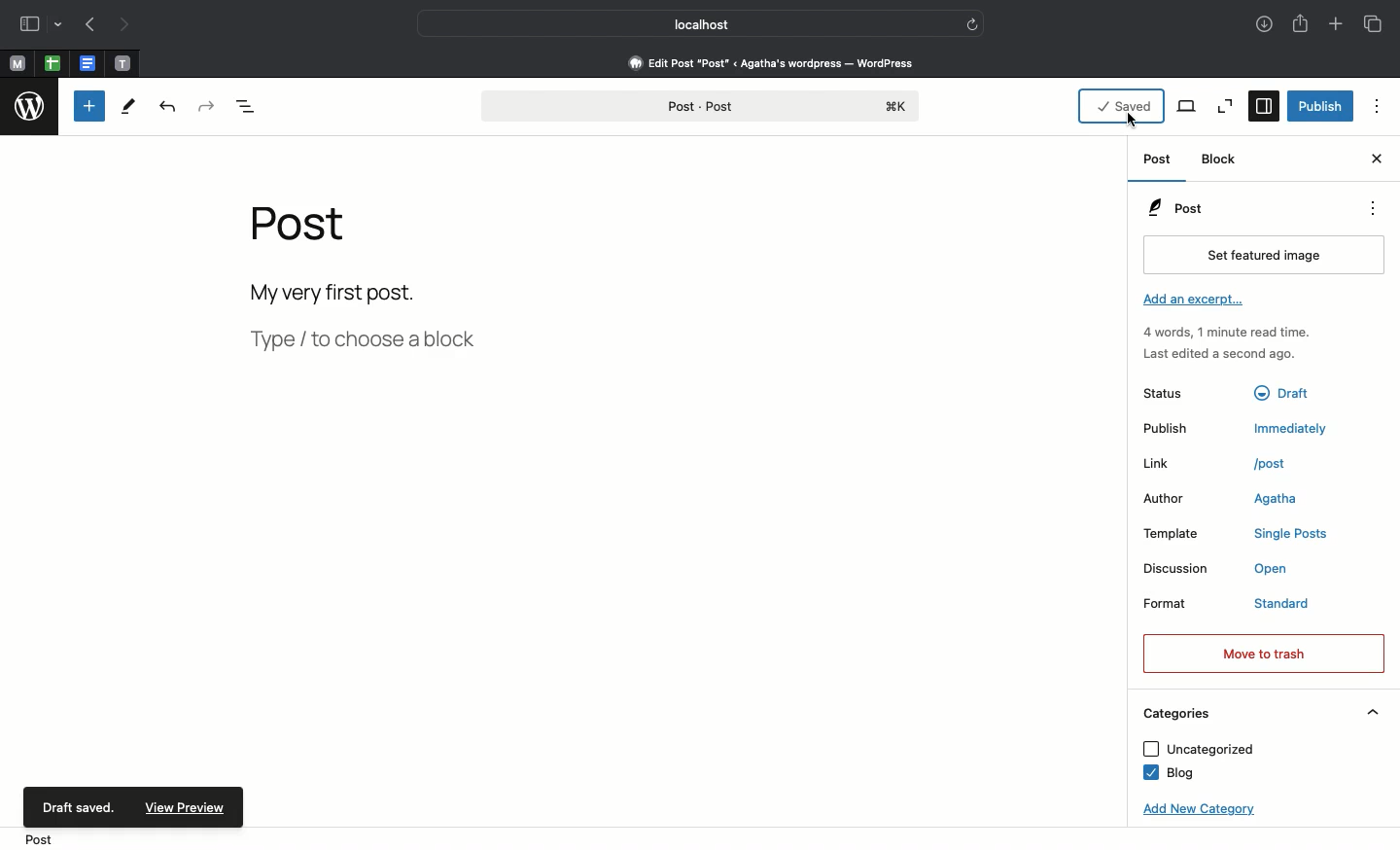 The image size is (1400, 850). Describe the element at coordinates (306, 233) in the screenshot. I see `Post` at that location.